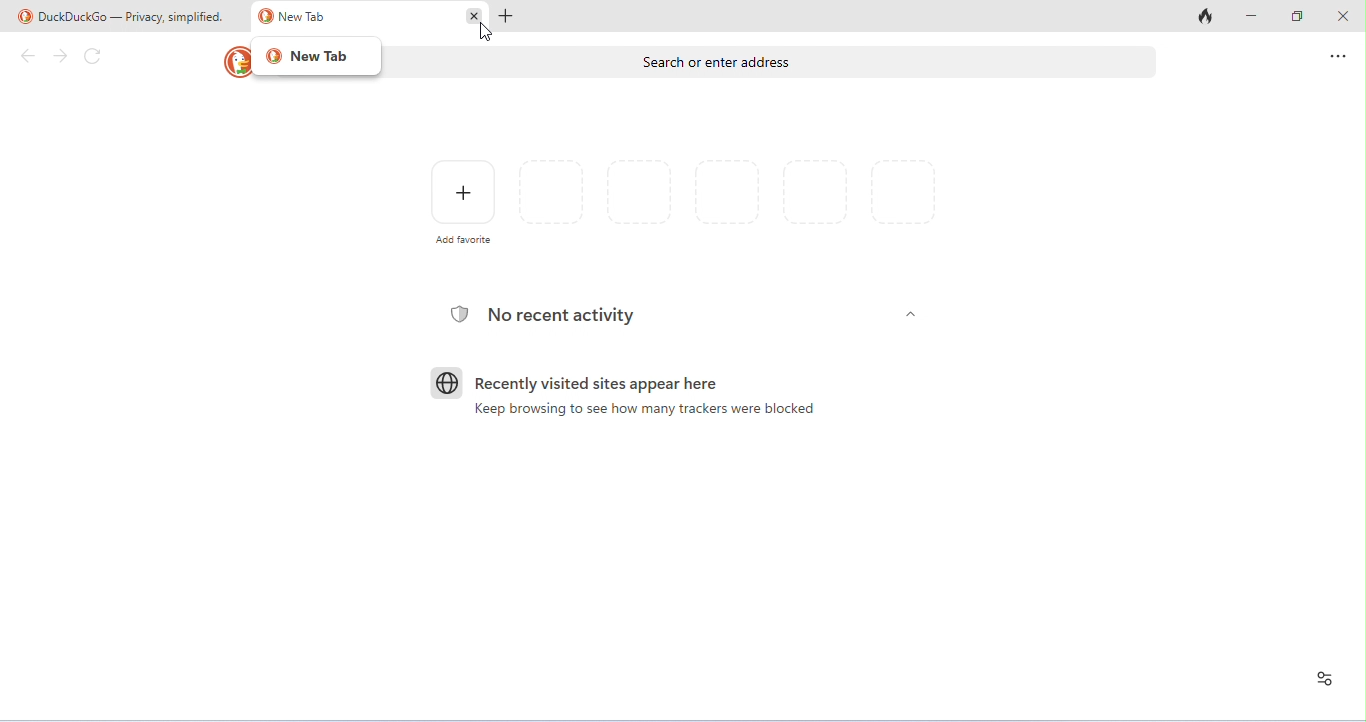 Image resolution: width=1366 pixels, height=722 pixels. I want to click on minimize, so click(1253, 17).